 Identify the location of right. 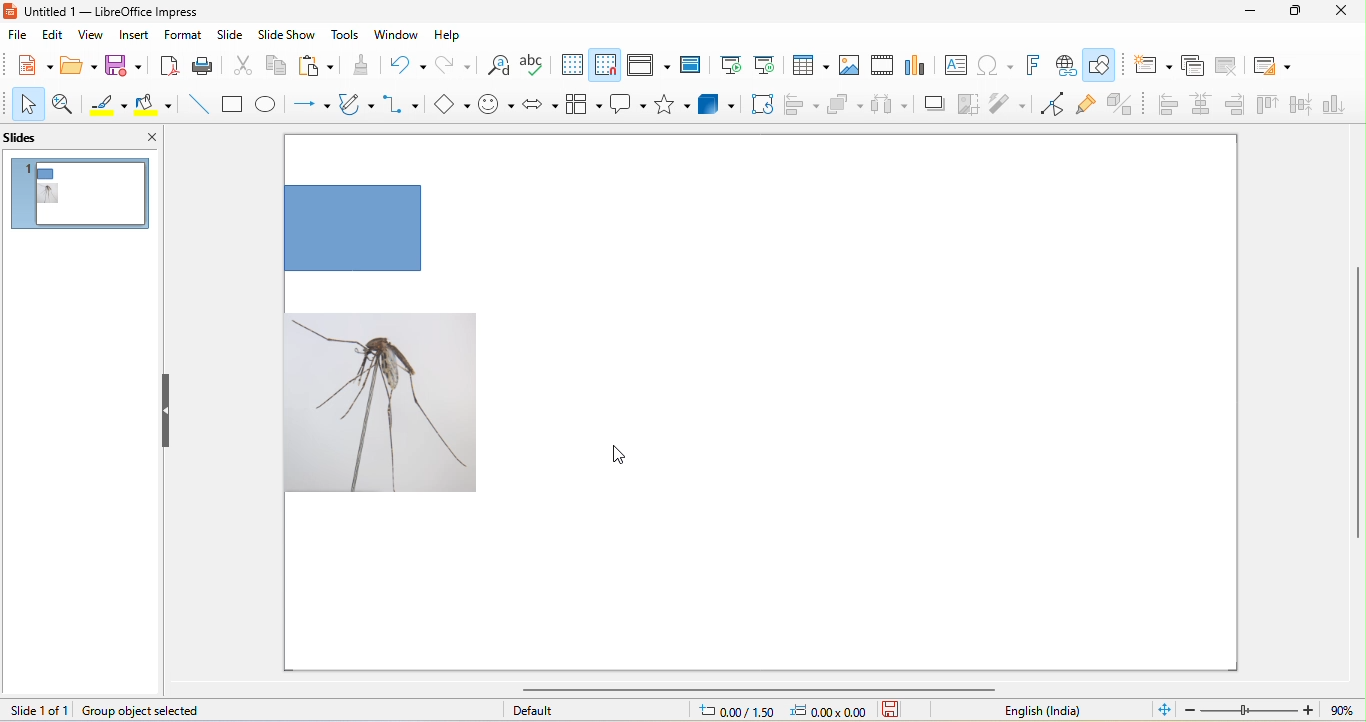
(1234, 106).